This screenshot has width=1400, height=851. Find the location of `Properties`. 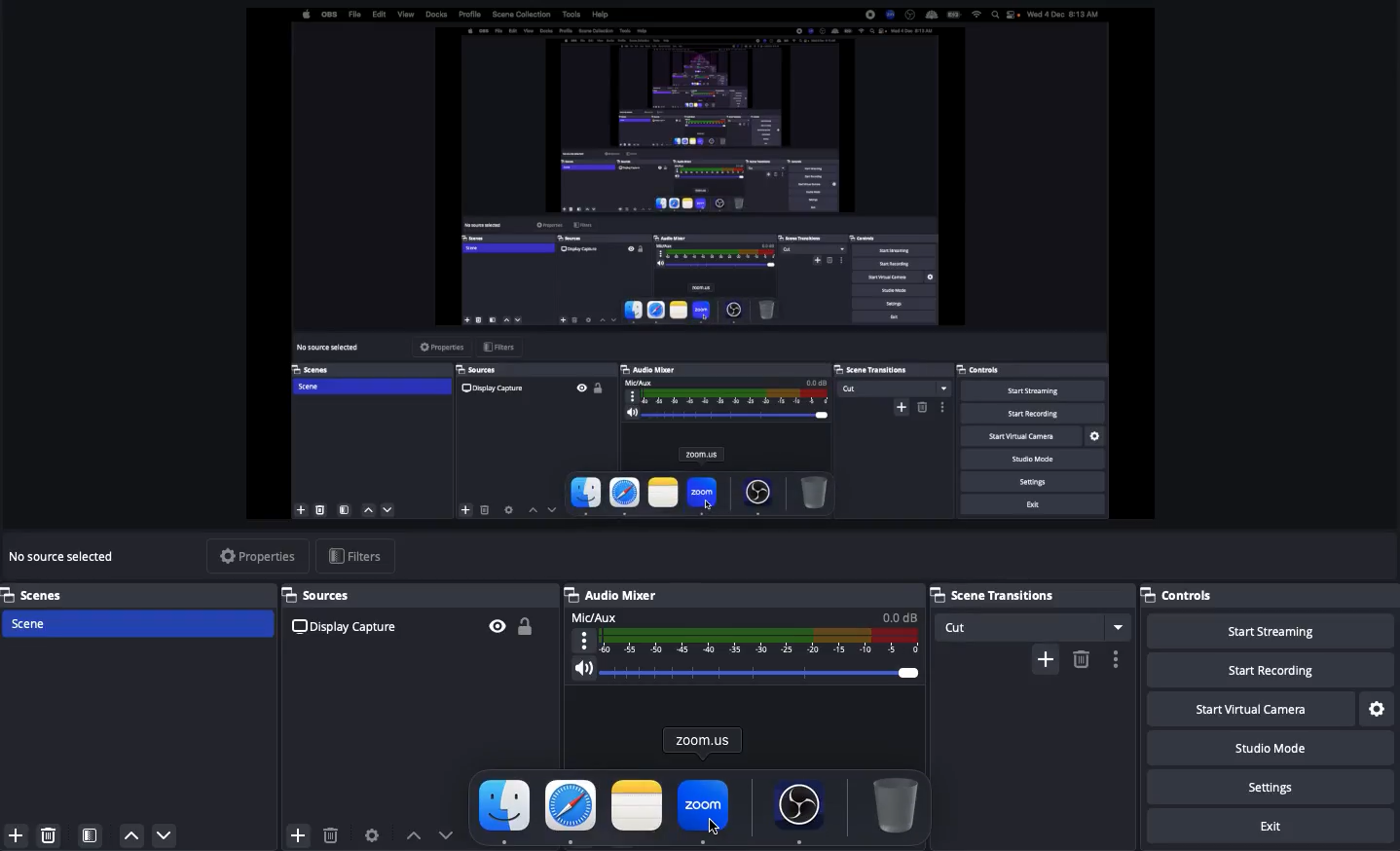

Properties is located at coordinates (258, 553).